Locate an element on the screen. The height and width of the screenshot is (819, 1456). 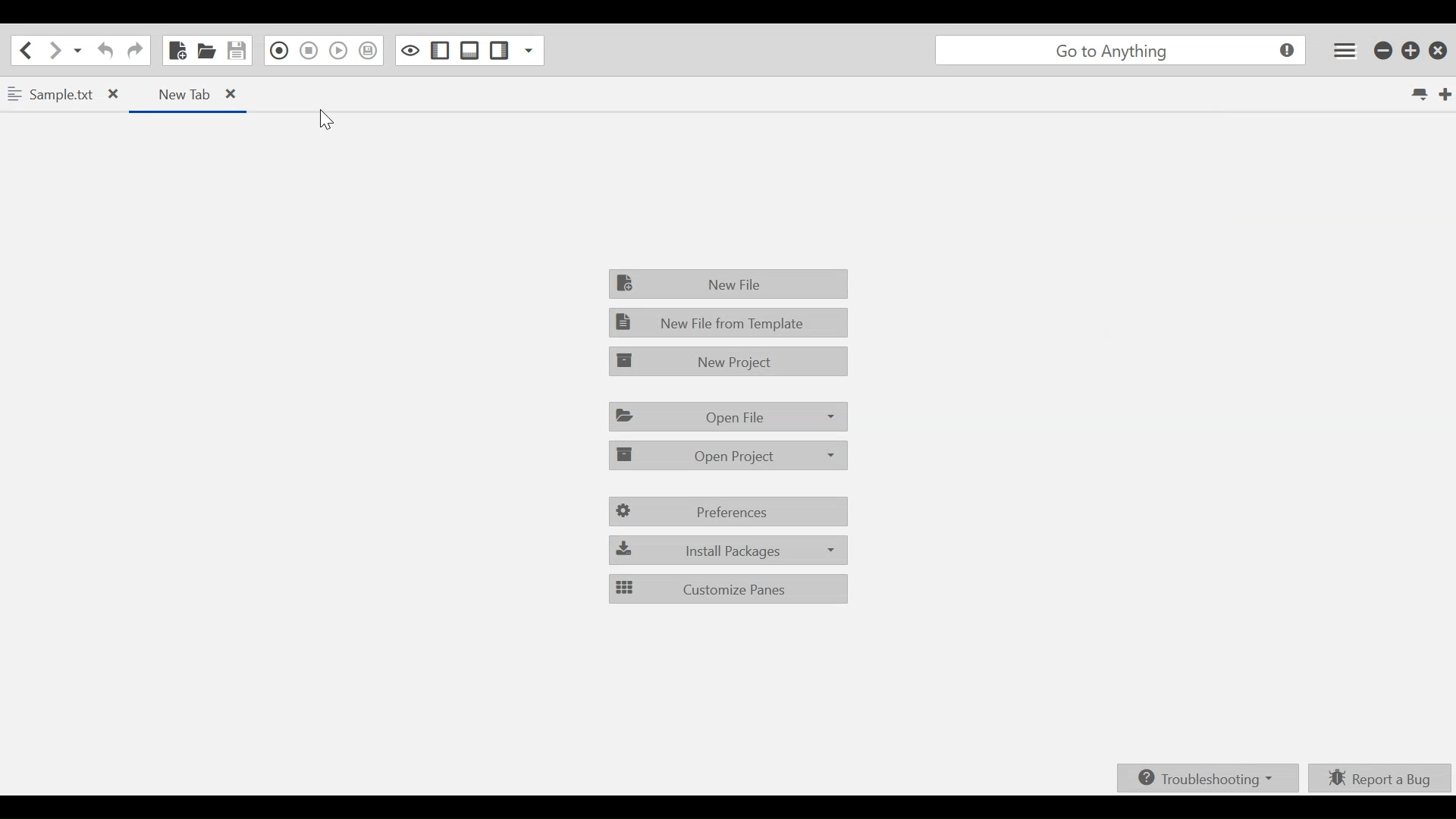
Tab is located at coordinates (64, 93).